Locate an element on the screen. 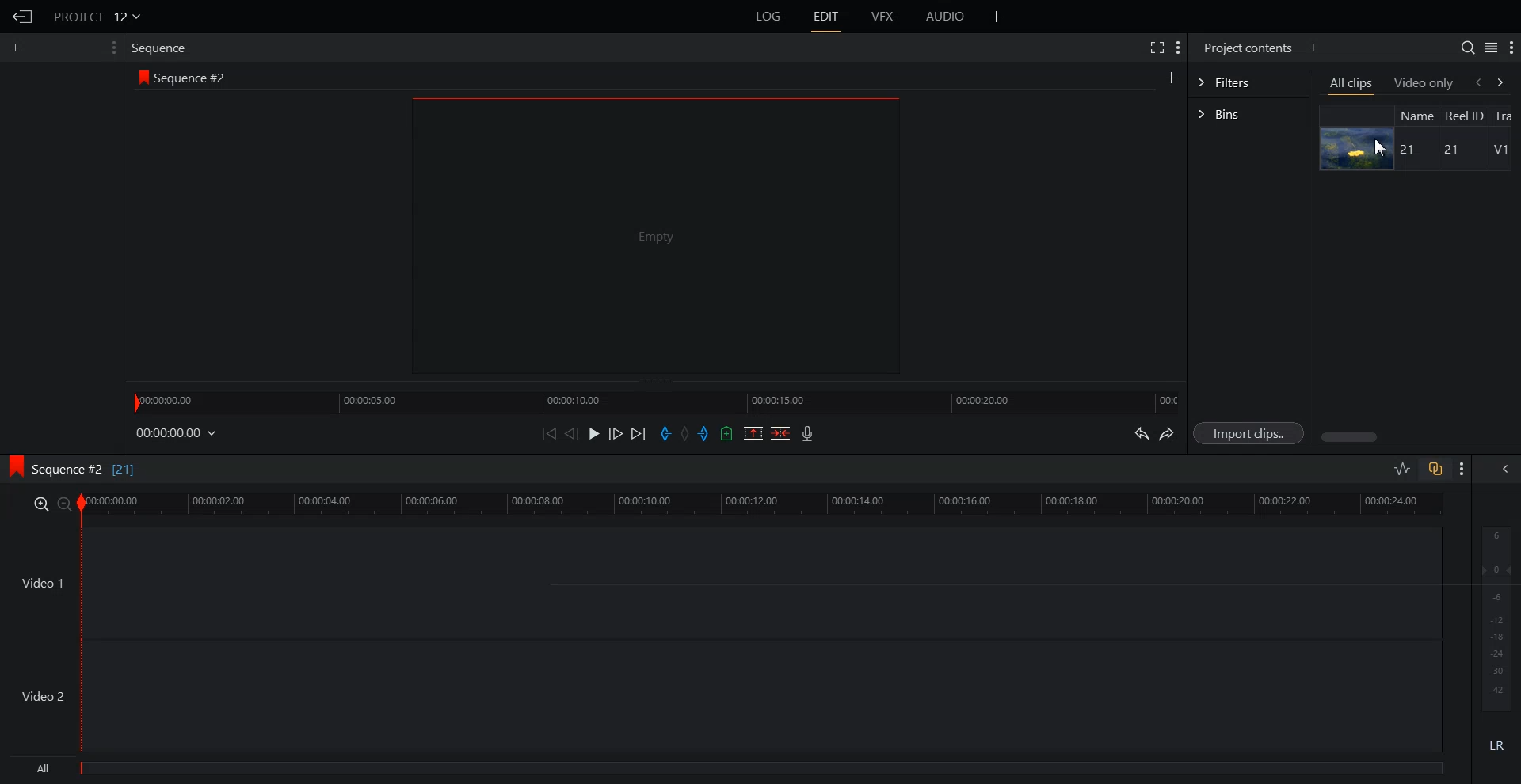  Add an out mark at the current position is located at coordinates (705, 432).